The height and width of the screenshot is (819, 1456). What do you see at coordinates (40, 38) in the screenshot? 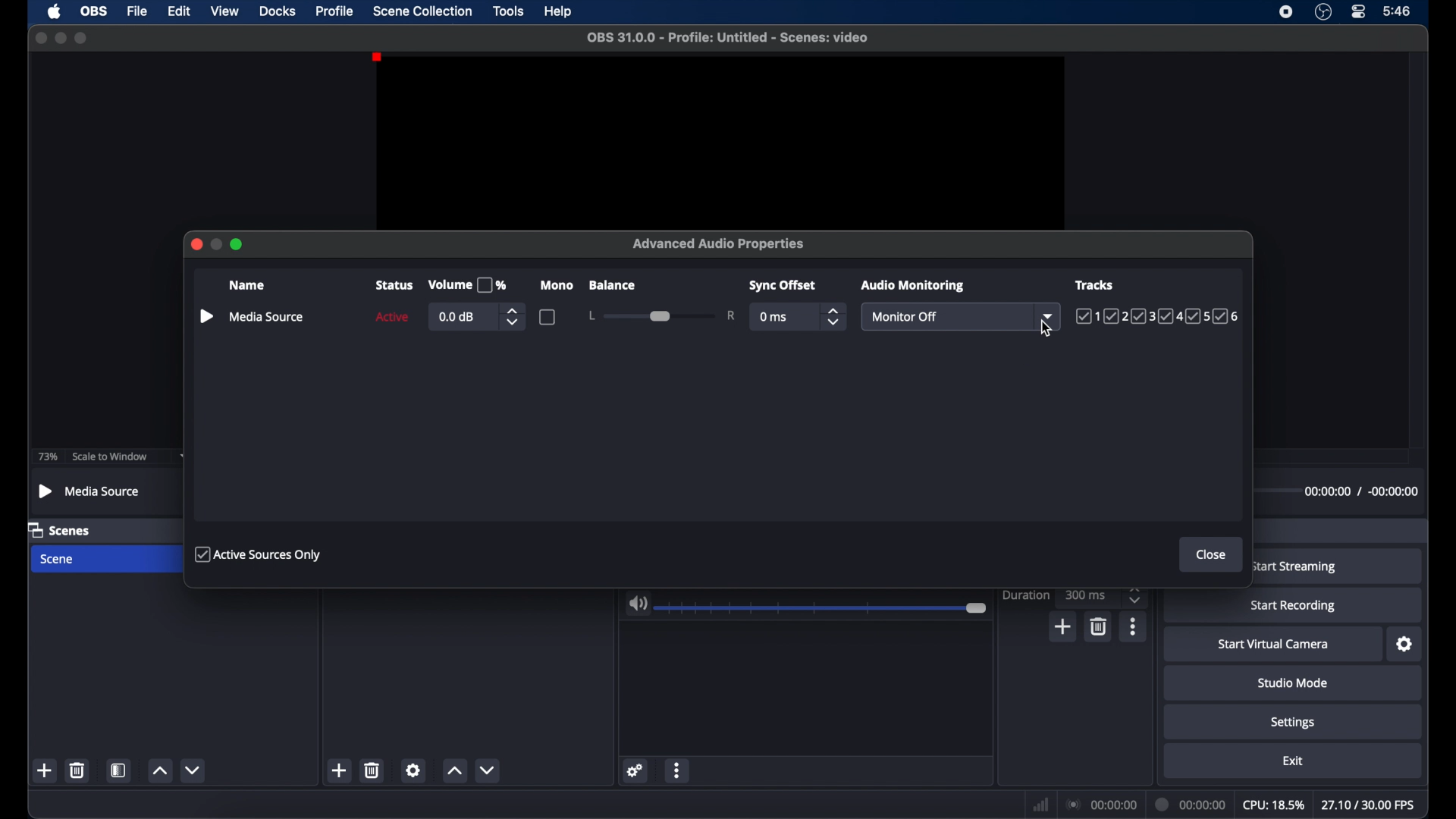
I see `close` at bounding box center [40, 38].